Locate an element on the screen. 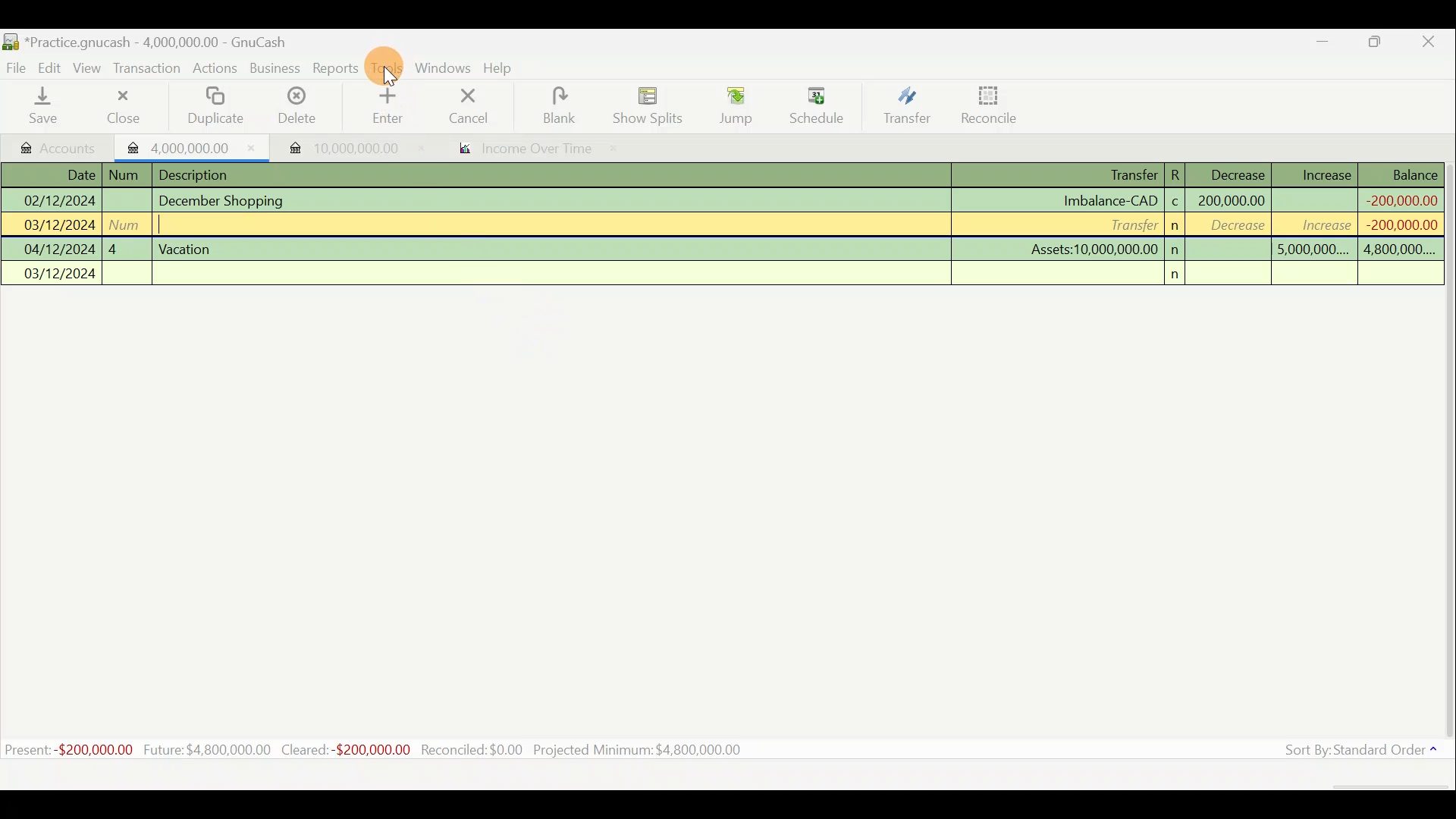 The width and height of the screenshot is (1456, 819). cursor is located at coordinates (391, 77).